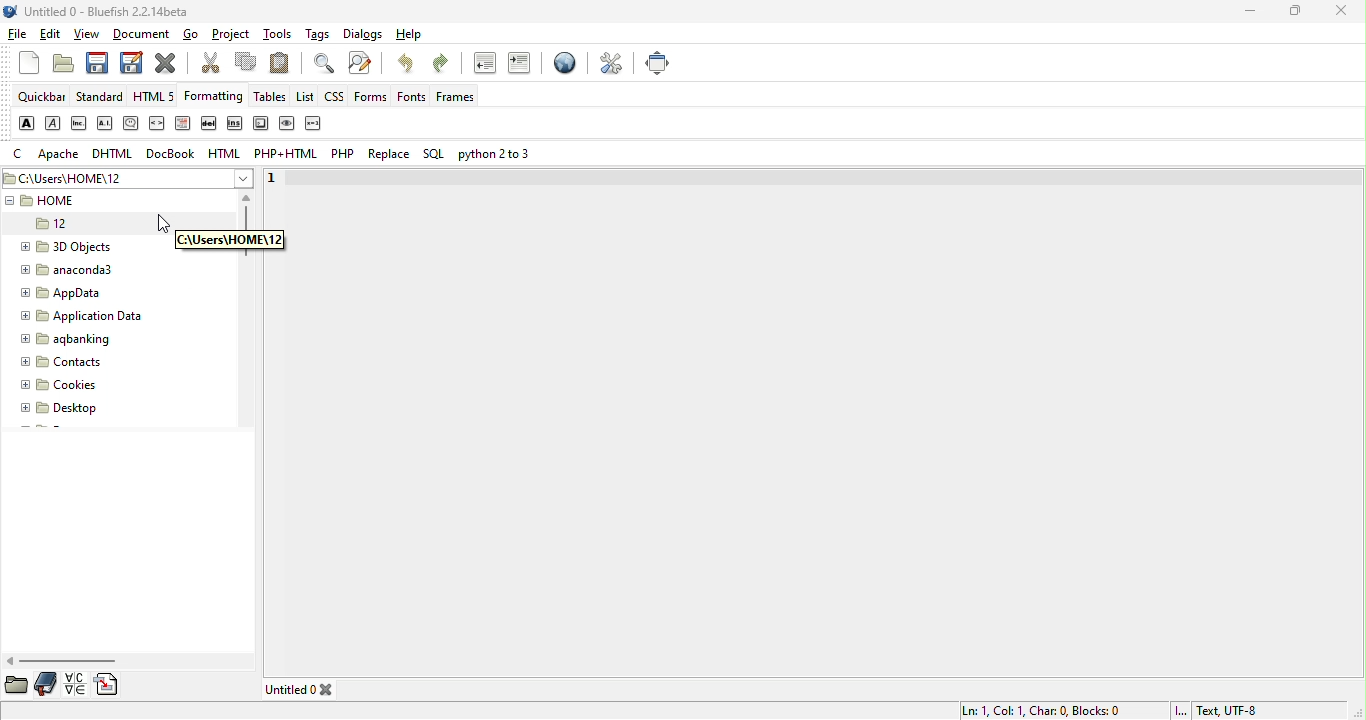 This screenshot has height=720, width=1366. Describe the element at coordinates (237, 126) in the screenshot. I see `insert` at that location.